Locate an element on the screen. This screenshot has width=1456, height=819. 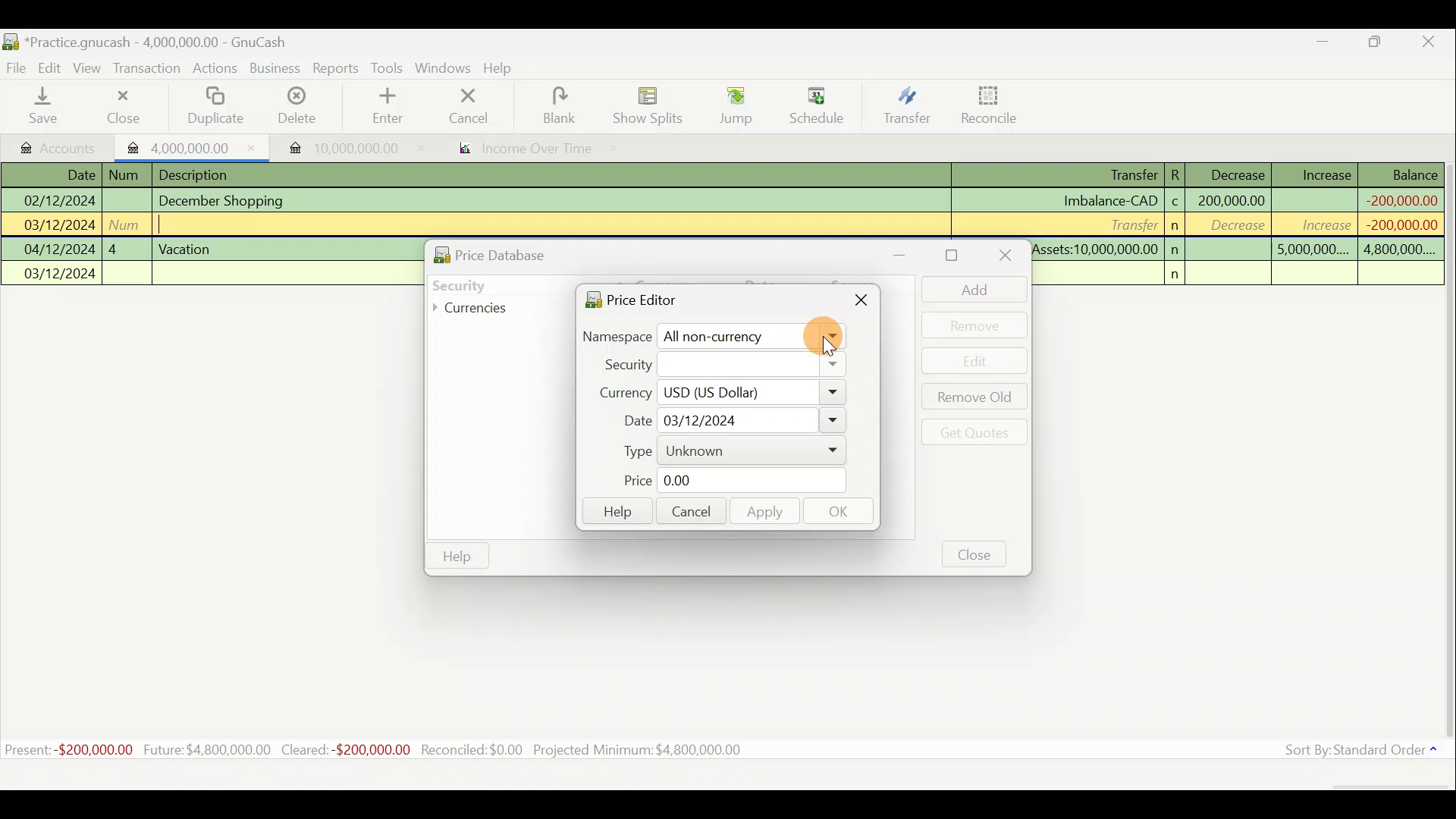
Tools is located at coordinates (388, 67).